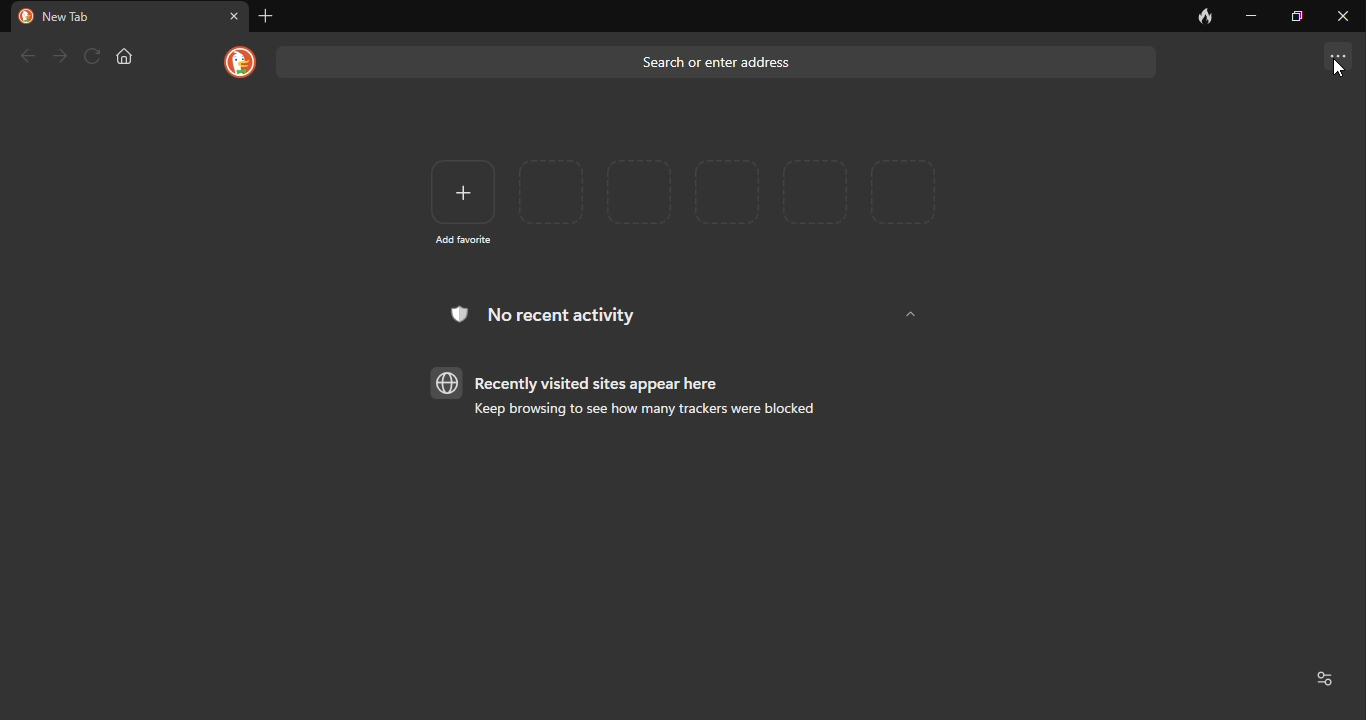  I want to click on new tab and more, so click(1340, 51).